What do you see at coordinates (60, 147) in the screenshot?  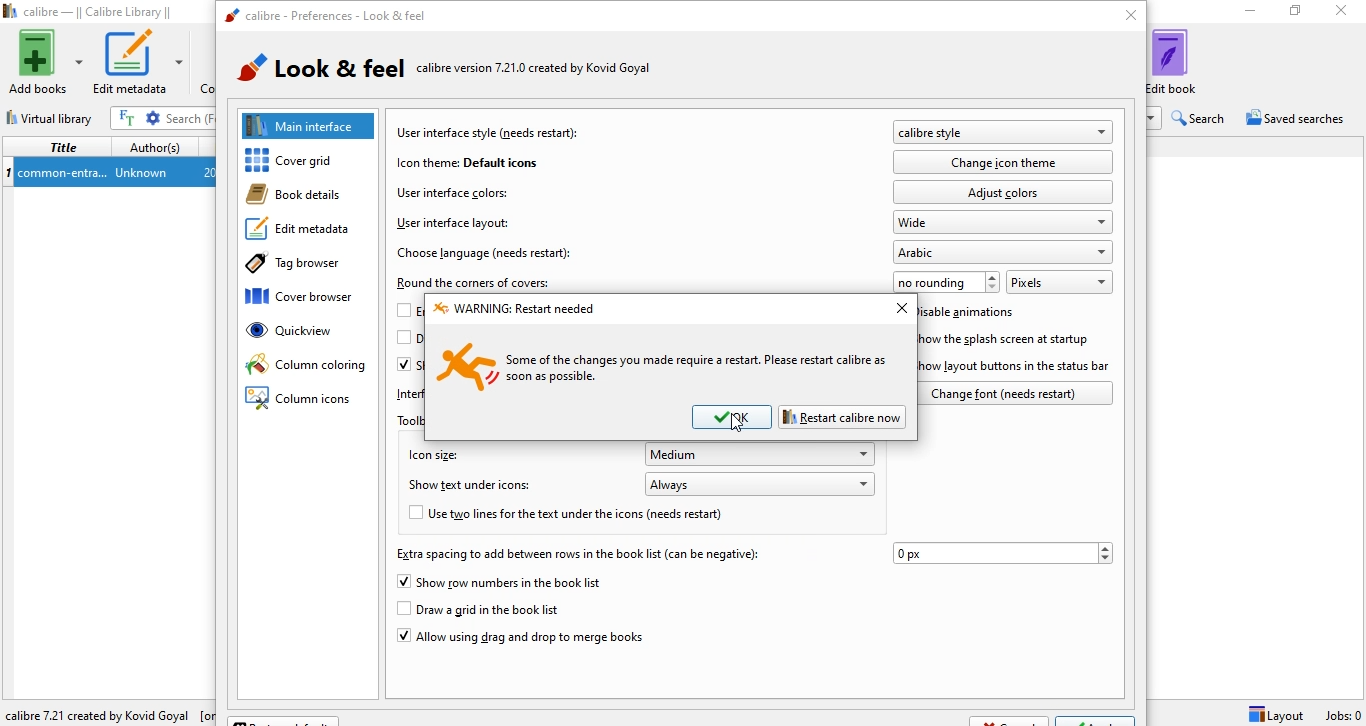 I see `Title` at bounding box center [60, 147].